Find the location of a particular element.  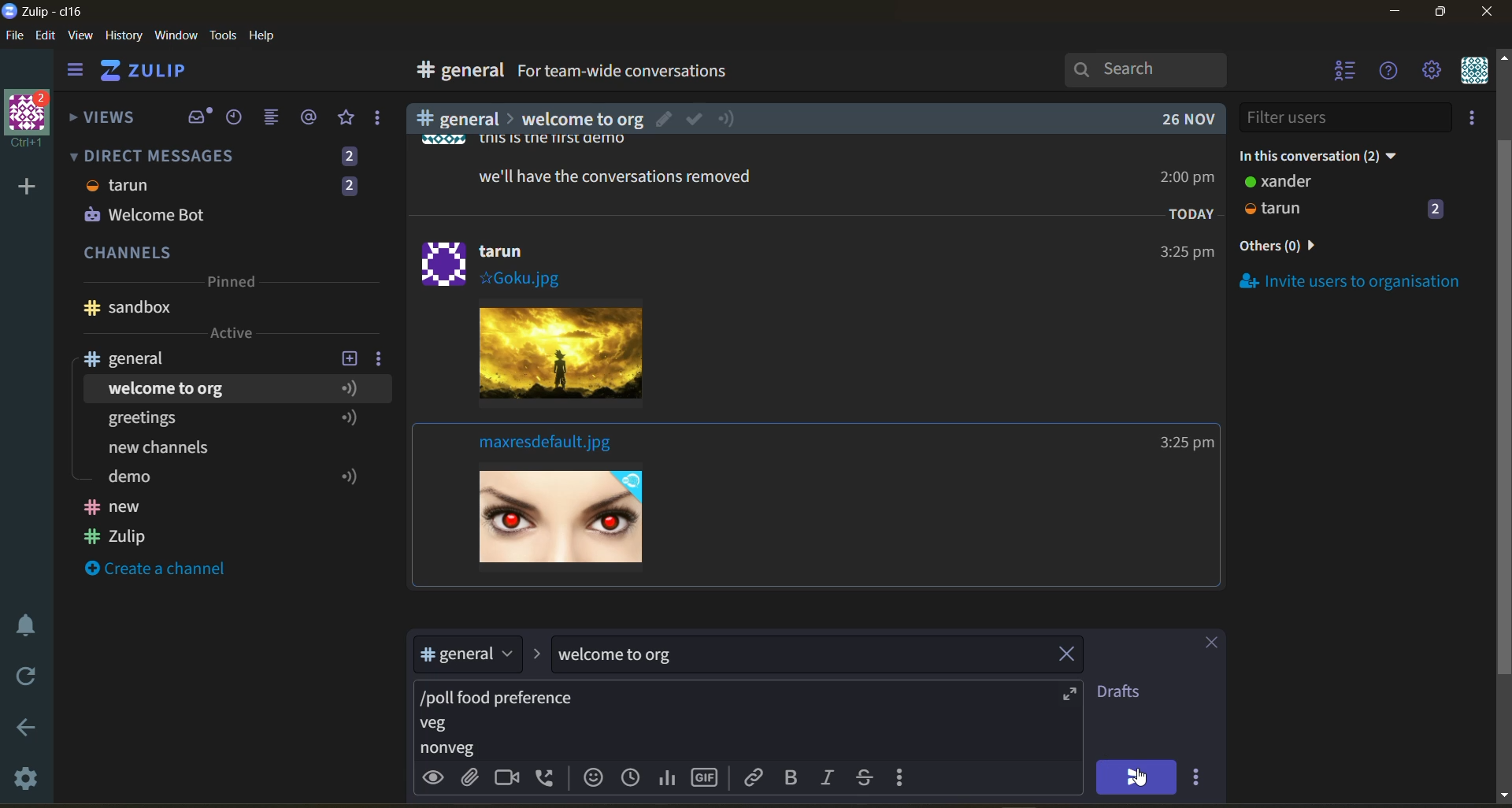

for team wide conversations is located at coordinates (707, 72).